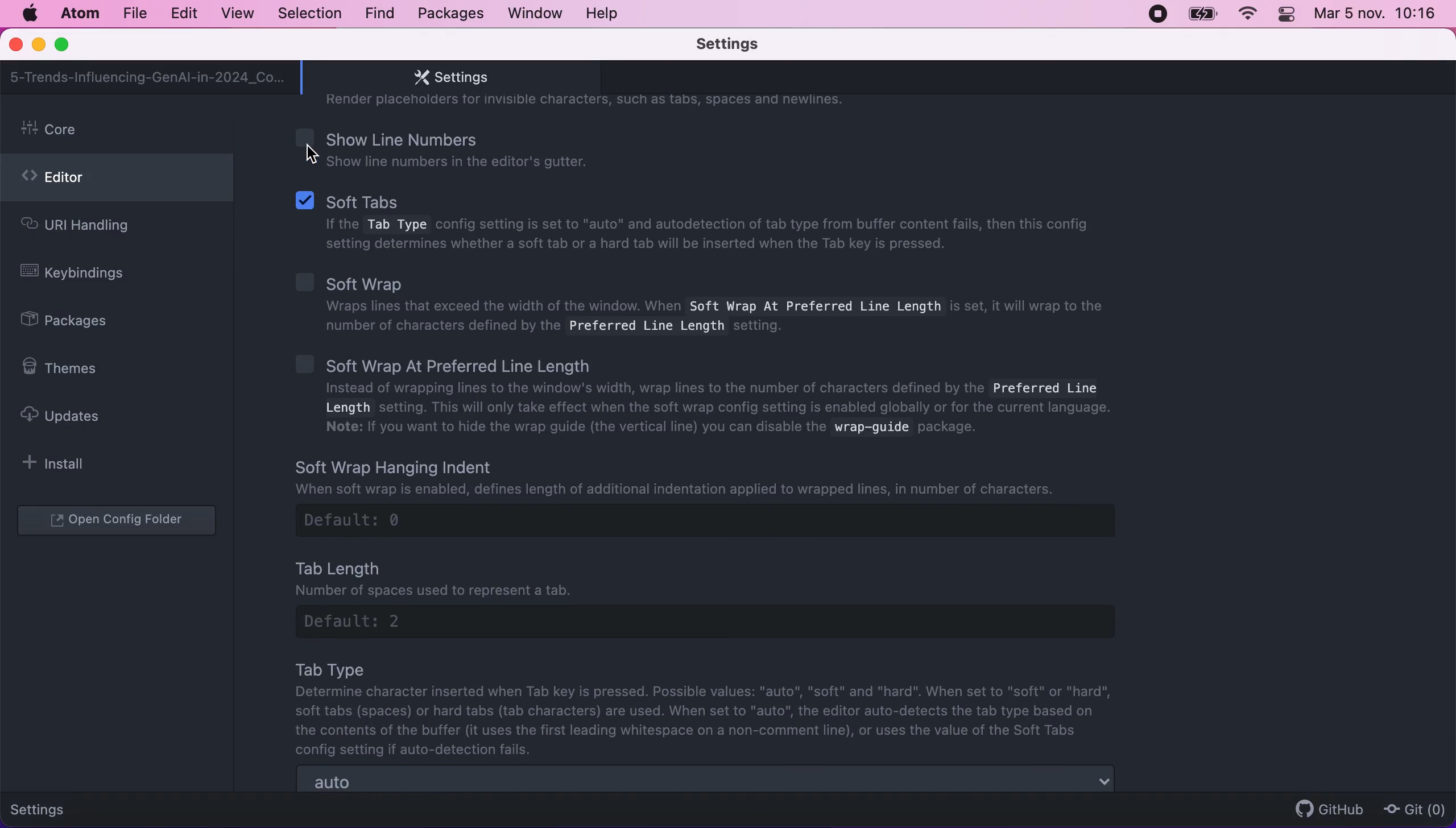  Describe the element at coordinates (1411, 809) in the screenshot. I see `Git (0)` at that location.